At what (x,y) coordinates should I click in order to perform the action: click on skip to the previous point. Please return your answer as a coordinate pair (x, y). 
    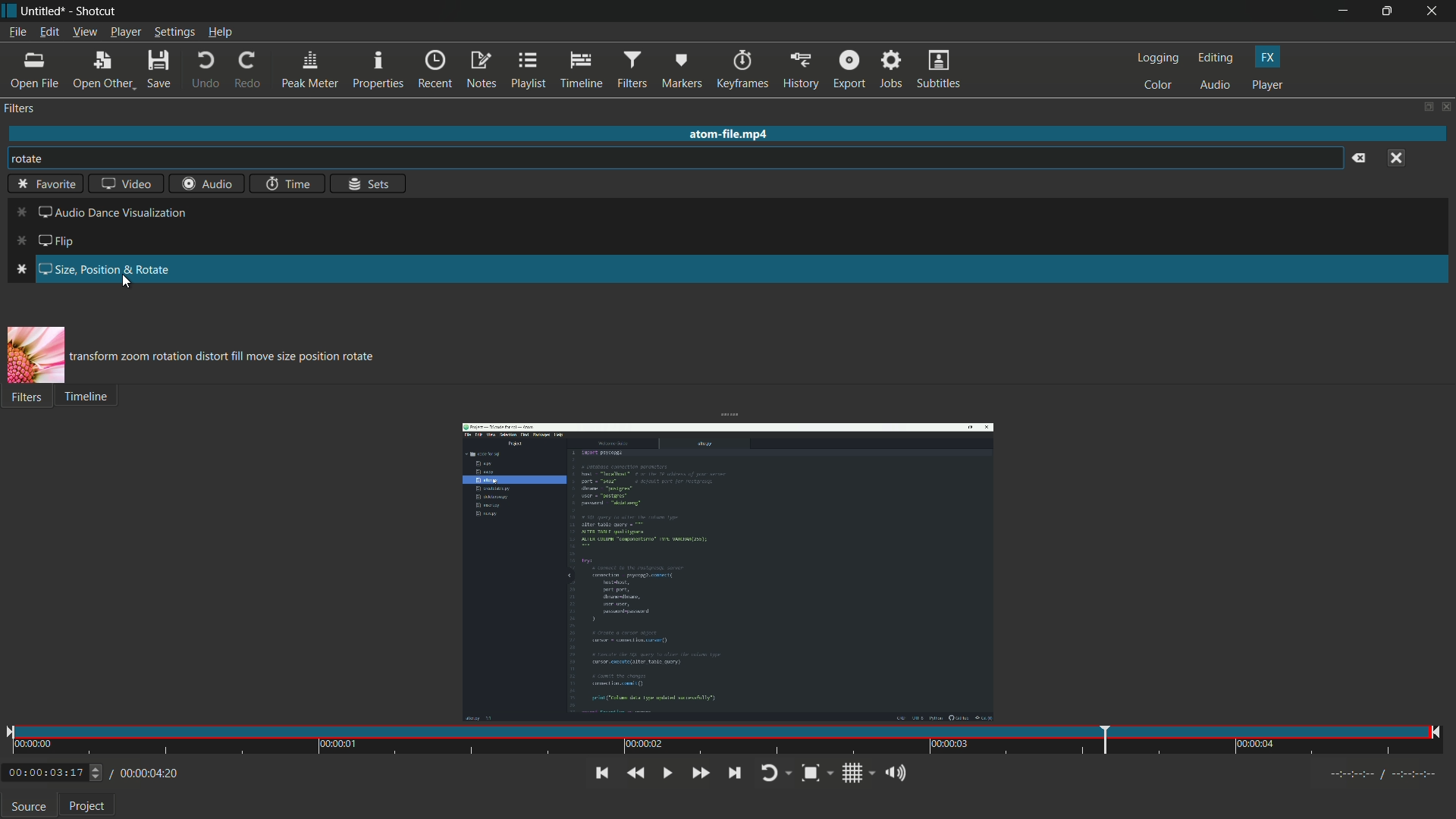
    Looking at the image, I should click on (602, 773).